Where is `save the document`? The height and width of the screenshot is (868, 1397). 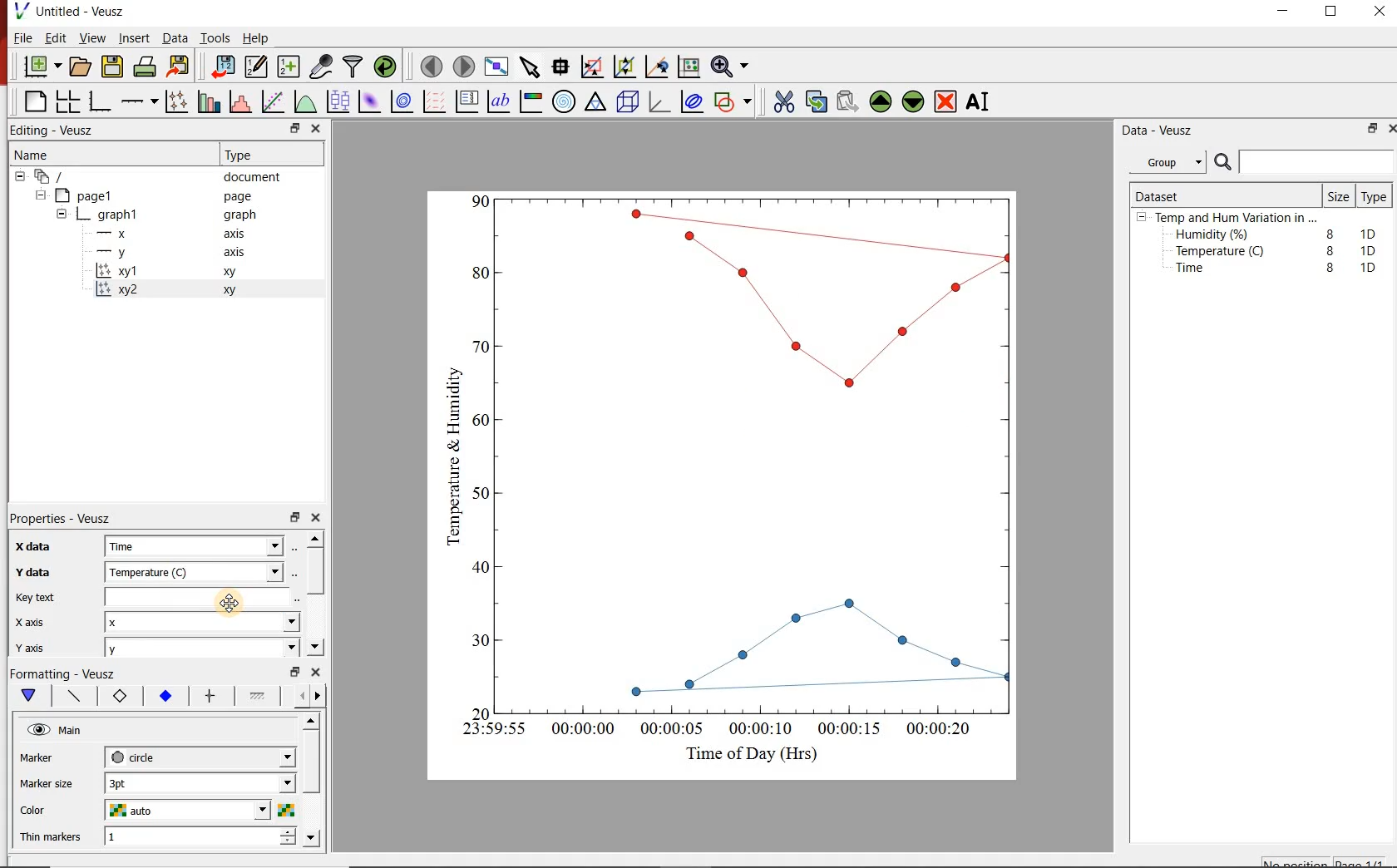
save the document is located at coordinates (113, 67).